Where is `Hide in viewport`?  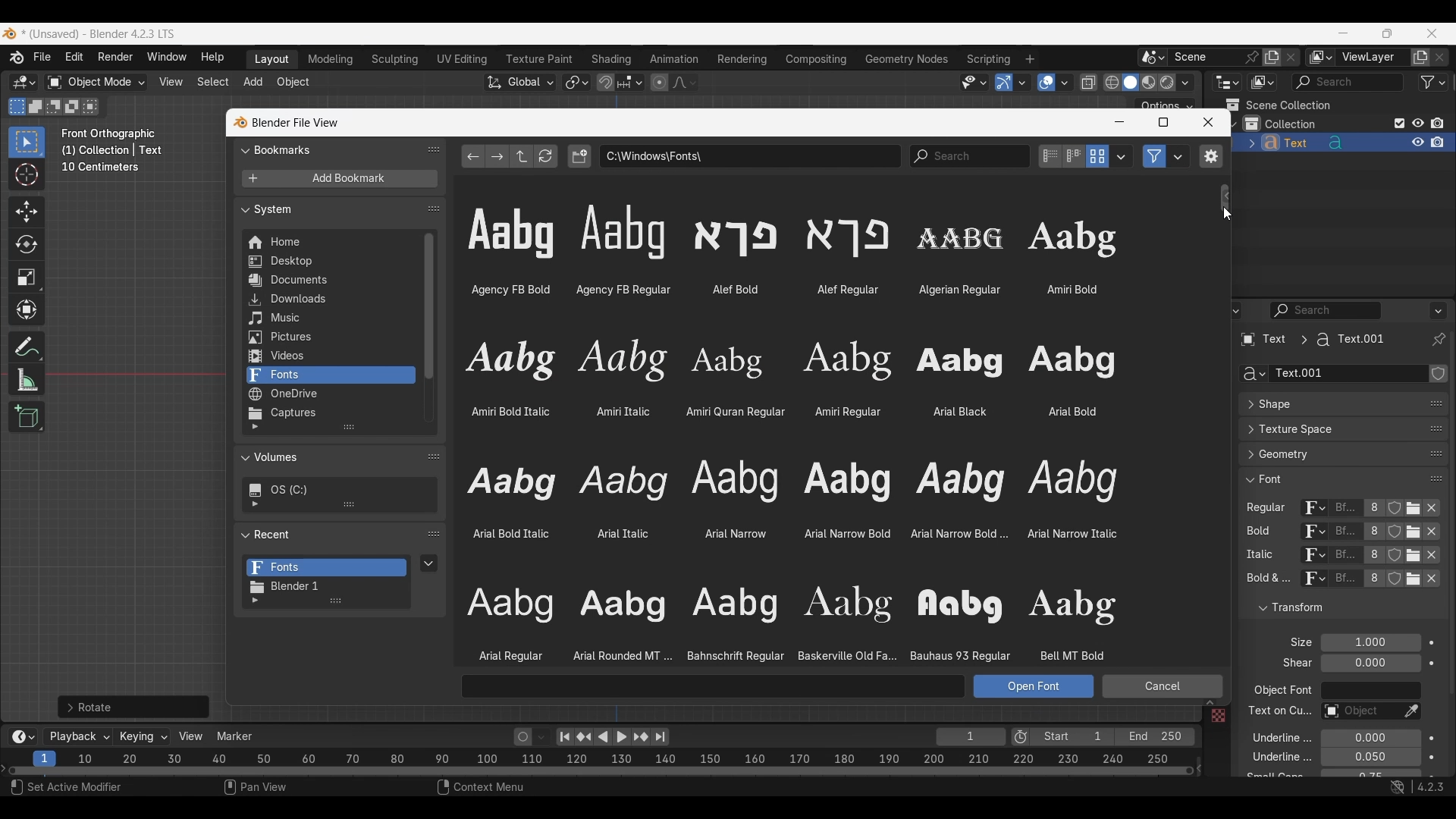
Hide in viewport is located at coordinates (1417, 123).